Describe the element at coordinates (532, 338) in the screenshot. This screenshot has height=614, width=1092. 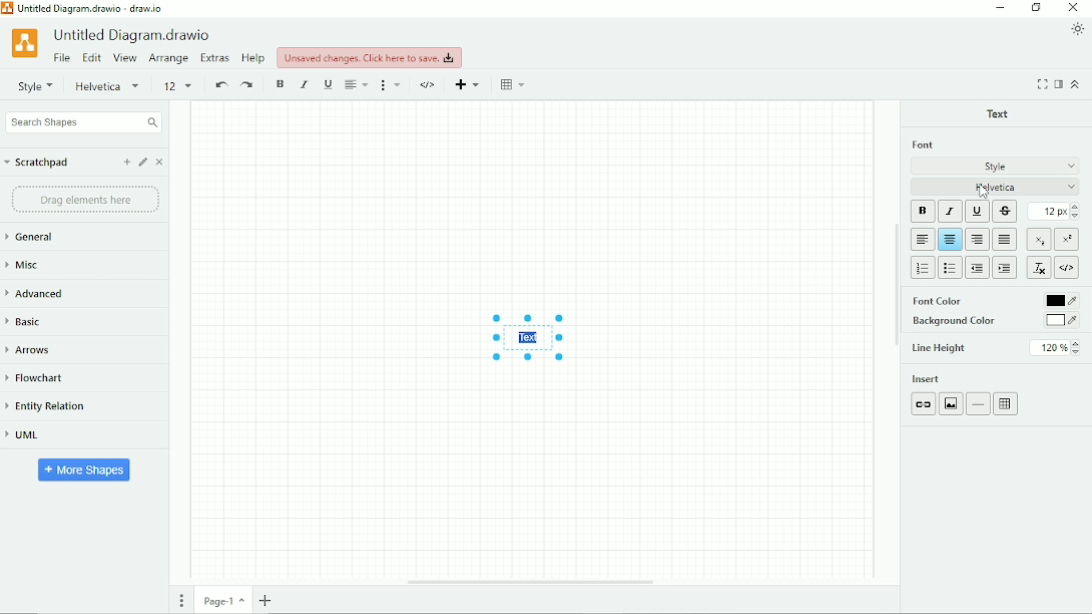
I see `Text` at that location.